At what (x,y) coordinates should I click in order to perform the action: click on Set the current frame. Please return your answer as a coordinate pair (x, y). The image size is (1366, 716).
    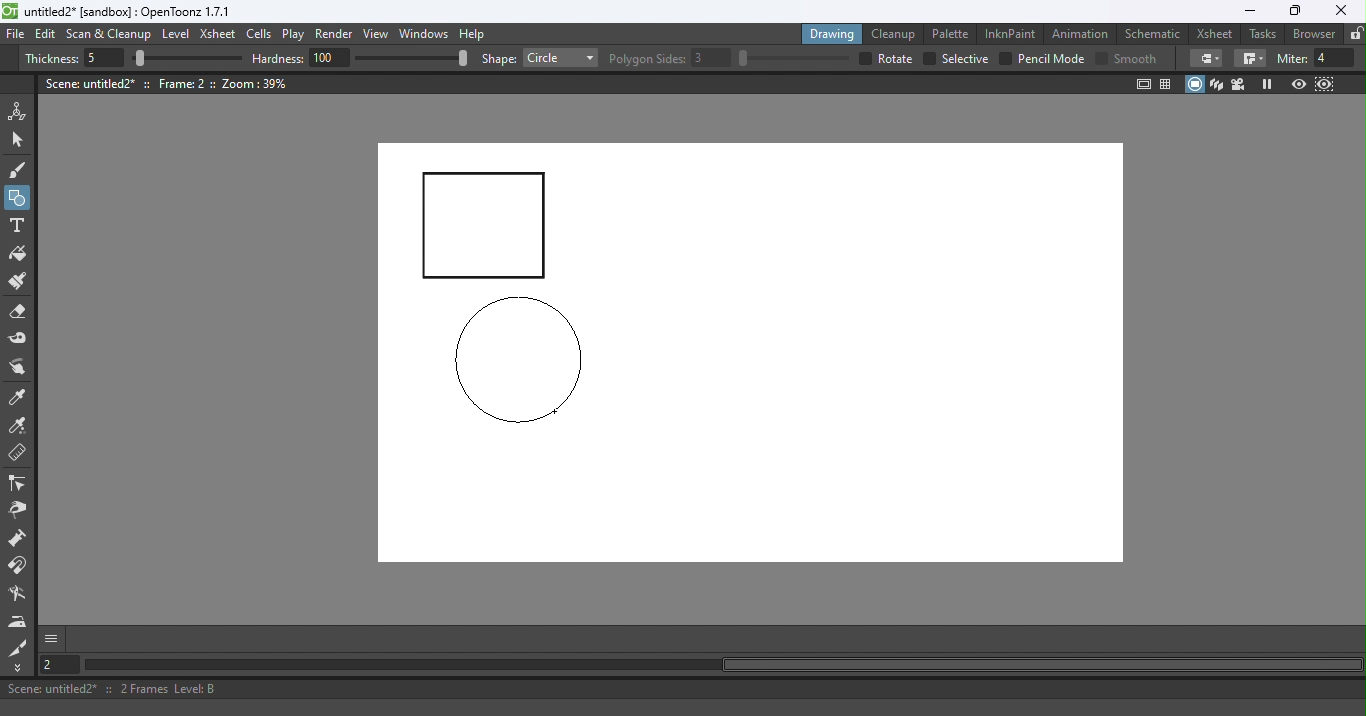
    Looking at the image, I should click on (57, 664).